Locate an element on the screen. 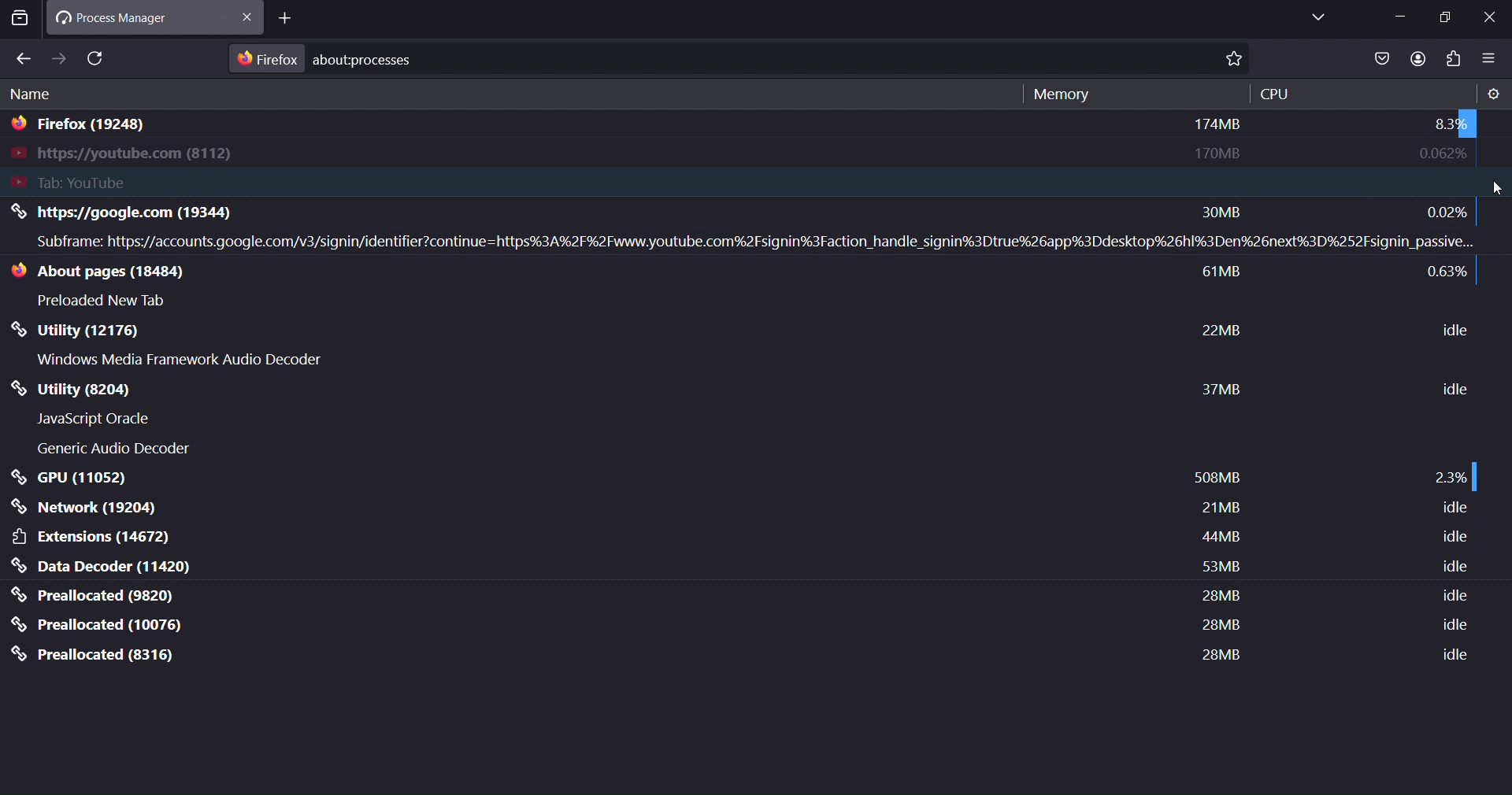 Image resolution: width=1512 pixels, height=795 pixels. extensions is located at coordinates (94, 537).